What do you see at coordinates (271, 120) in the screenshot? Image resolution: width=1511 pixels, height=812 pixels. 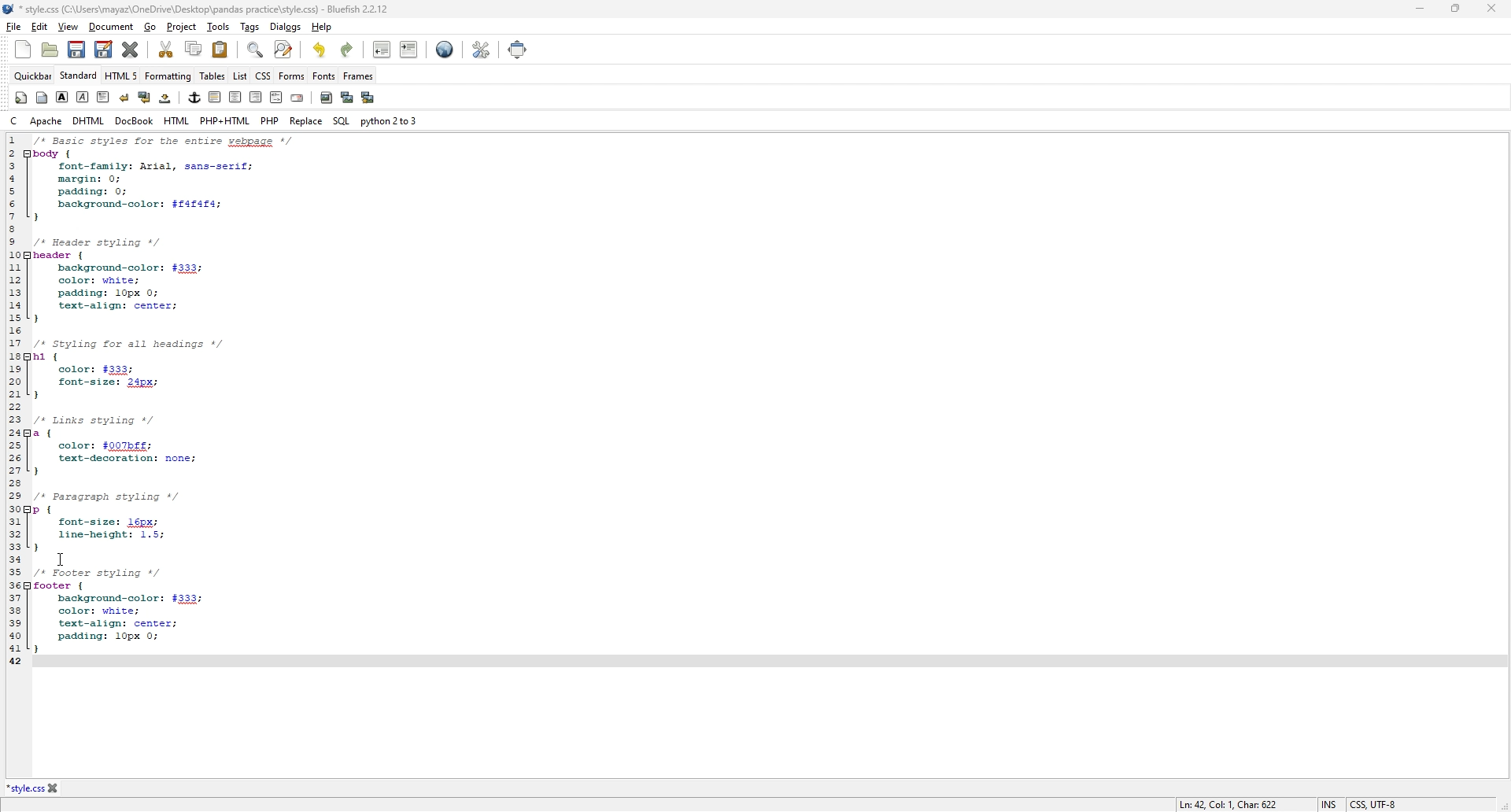 I see `php` at bounding box center [271, 120].